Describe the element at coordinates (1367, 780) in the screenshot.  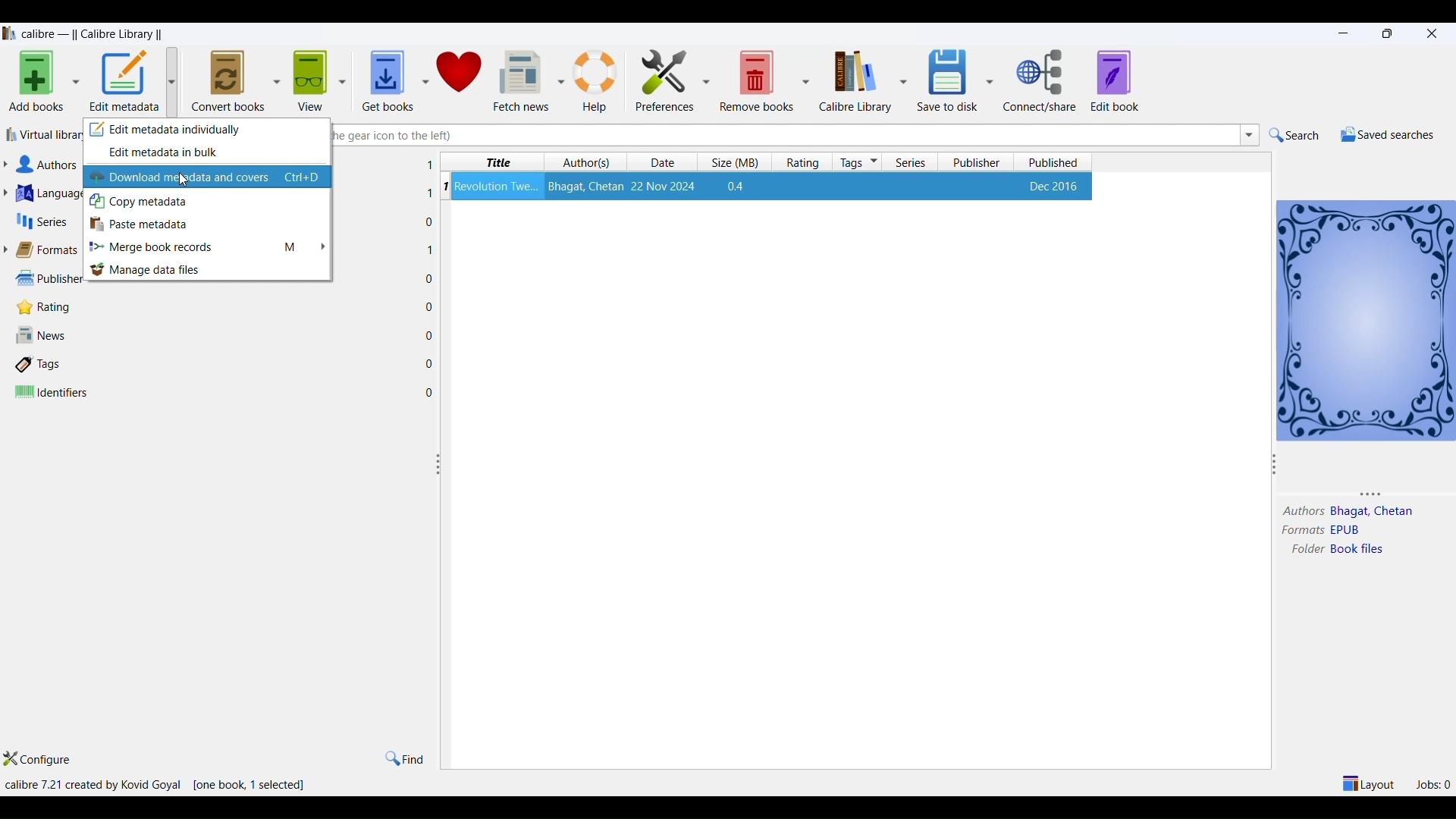
I see `layout` at that location.